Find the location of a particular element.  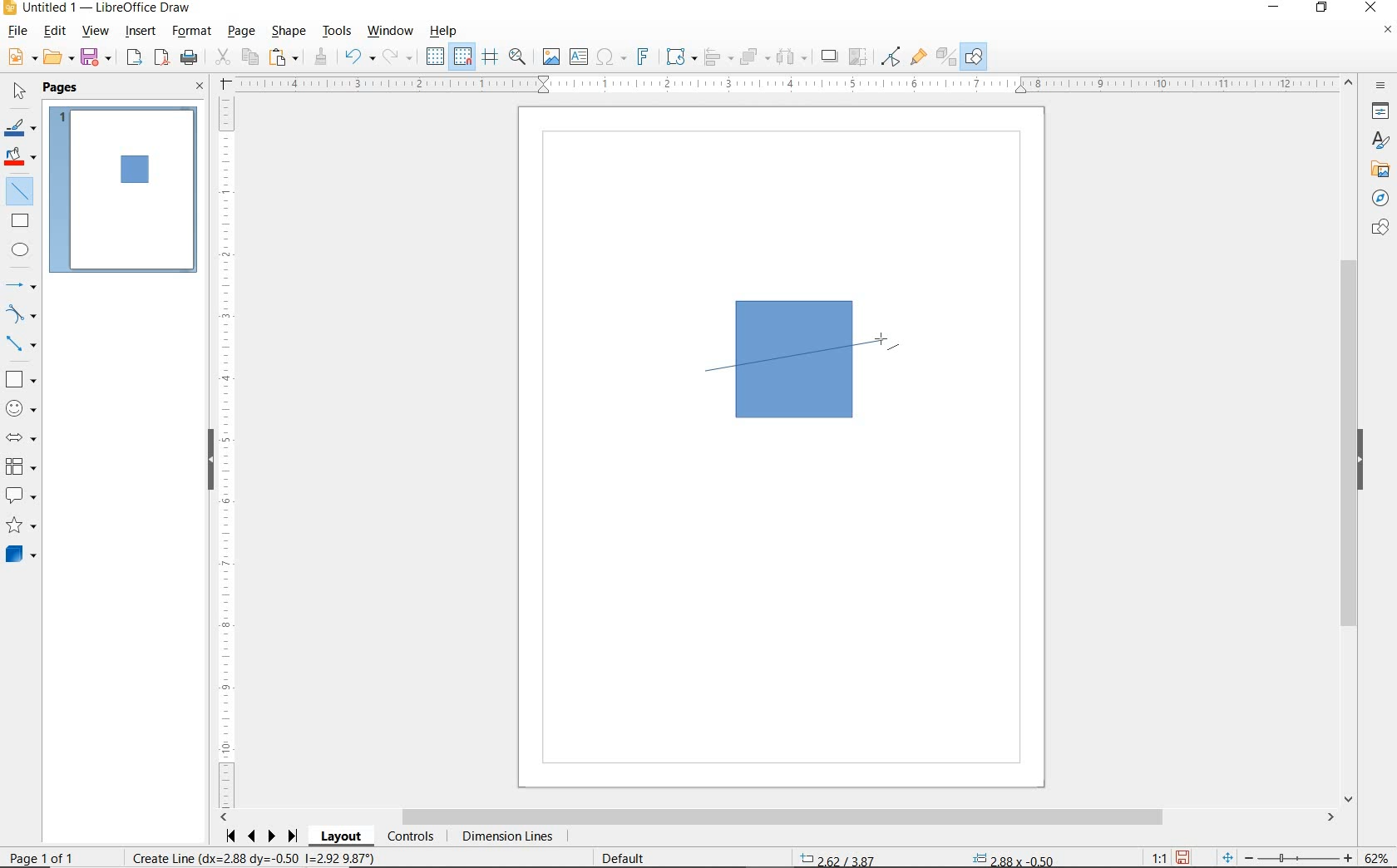

PAGES is located at coordinates (62, 89).